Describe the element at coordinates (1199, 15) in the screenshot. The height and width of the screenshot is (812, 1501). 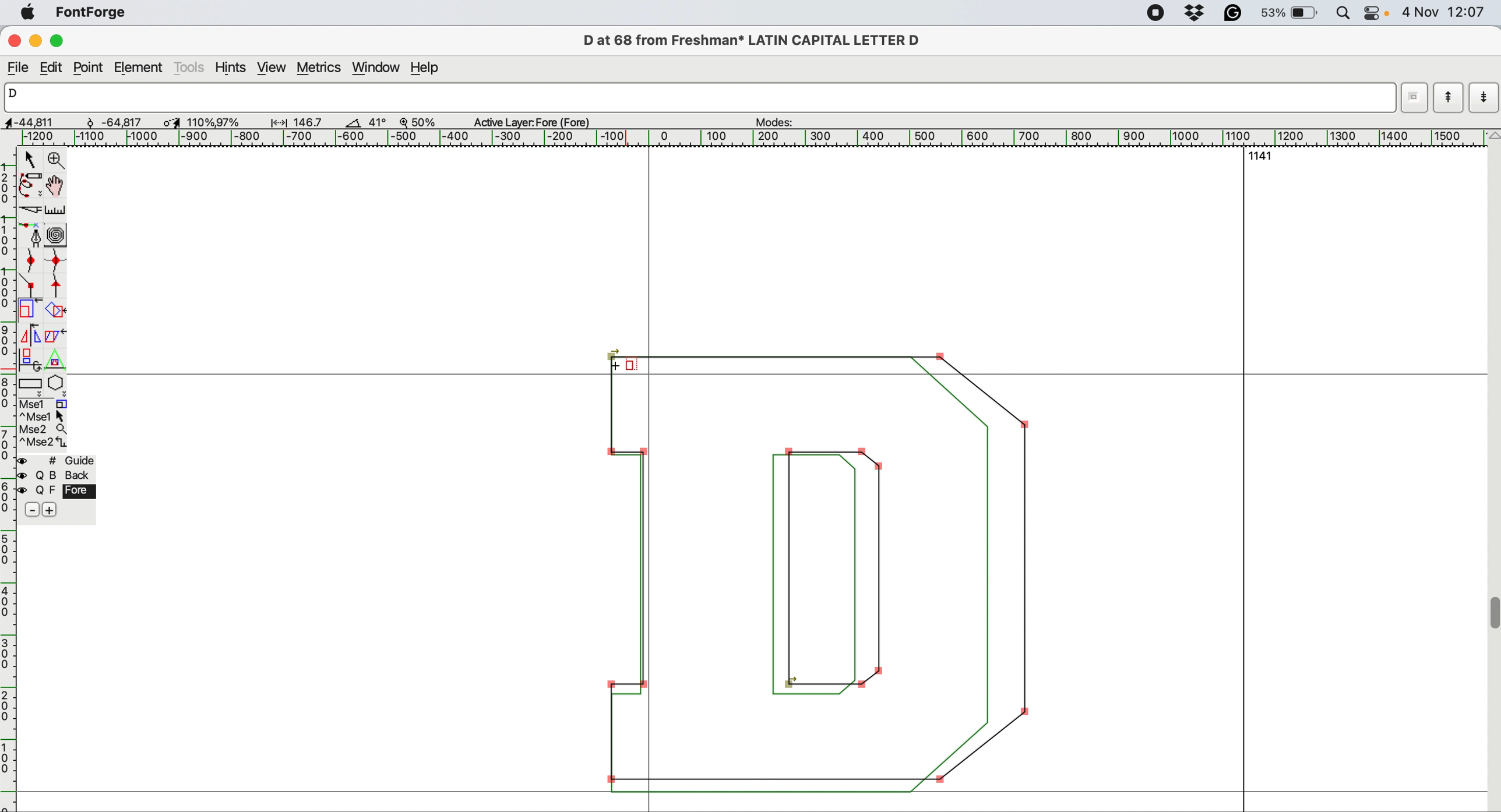
I see `drop box` at that location.